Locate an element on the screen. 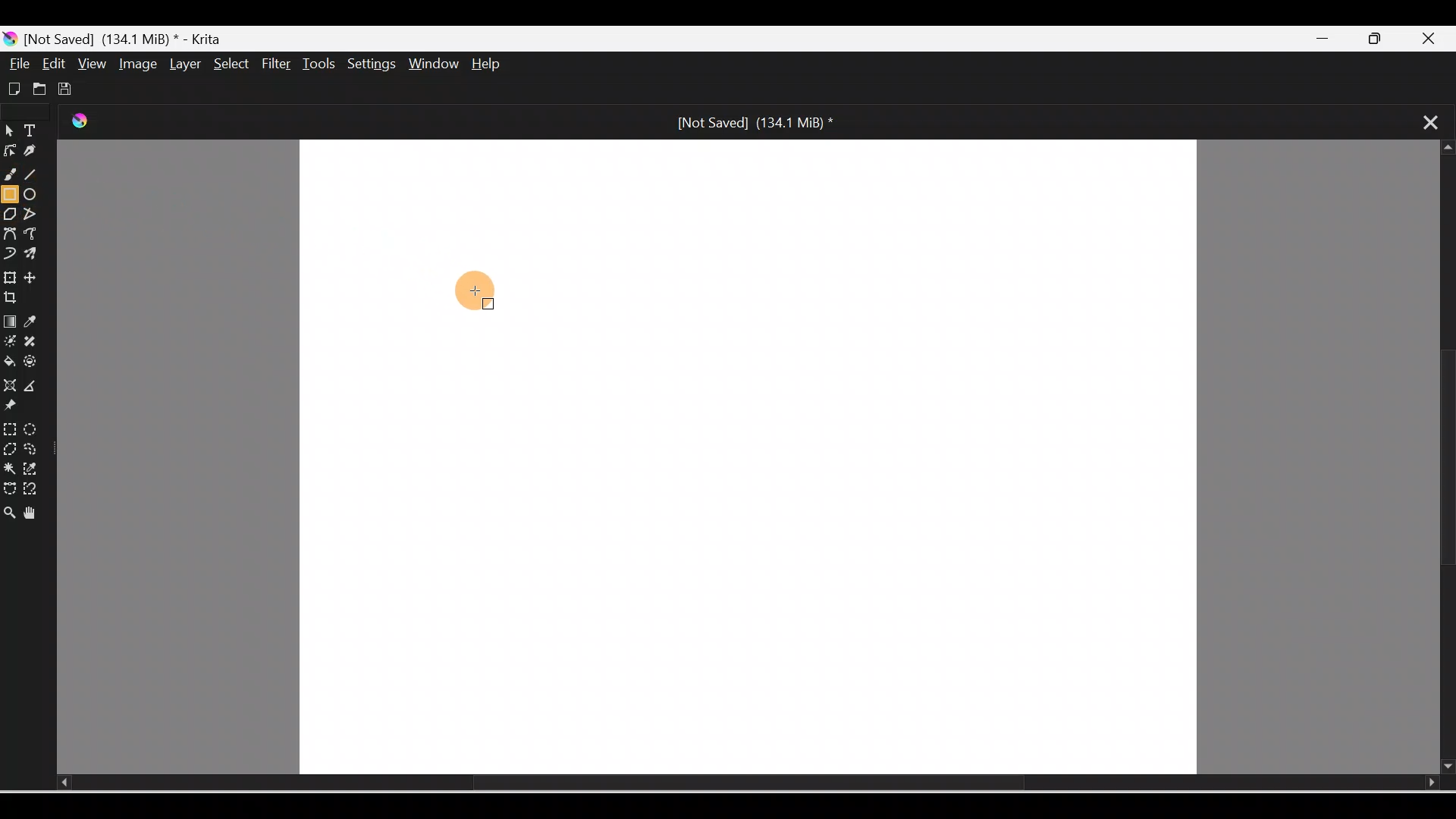 The width and height of the screenshot is (1456, 819). Minimize is located at coordinates (1326, 39).